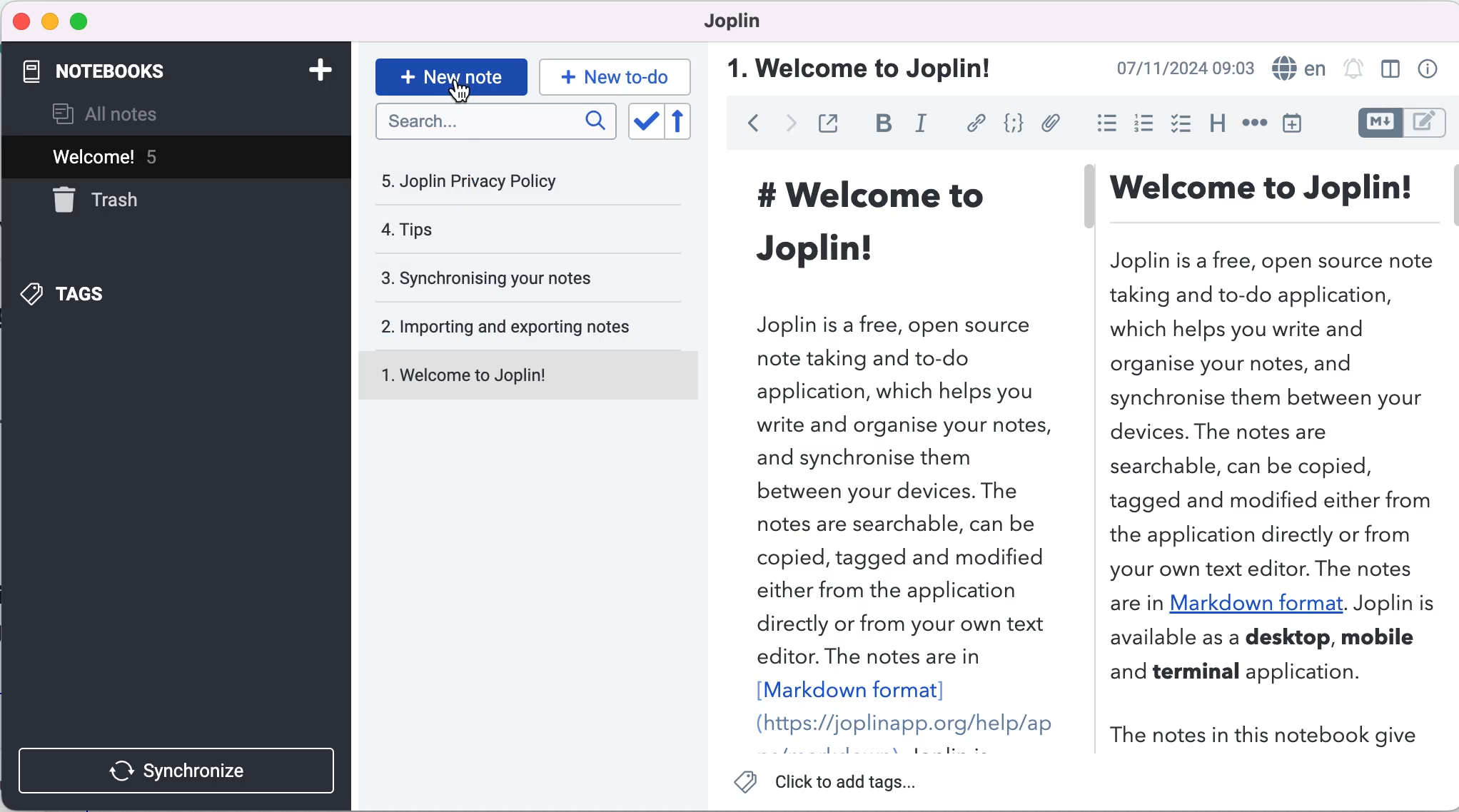 The image size is (1459, 812). What do you see at coordinates (1052, 124) in the screenshot?
I see `add file` at bounding box center [1052, 124].